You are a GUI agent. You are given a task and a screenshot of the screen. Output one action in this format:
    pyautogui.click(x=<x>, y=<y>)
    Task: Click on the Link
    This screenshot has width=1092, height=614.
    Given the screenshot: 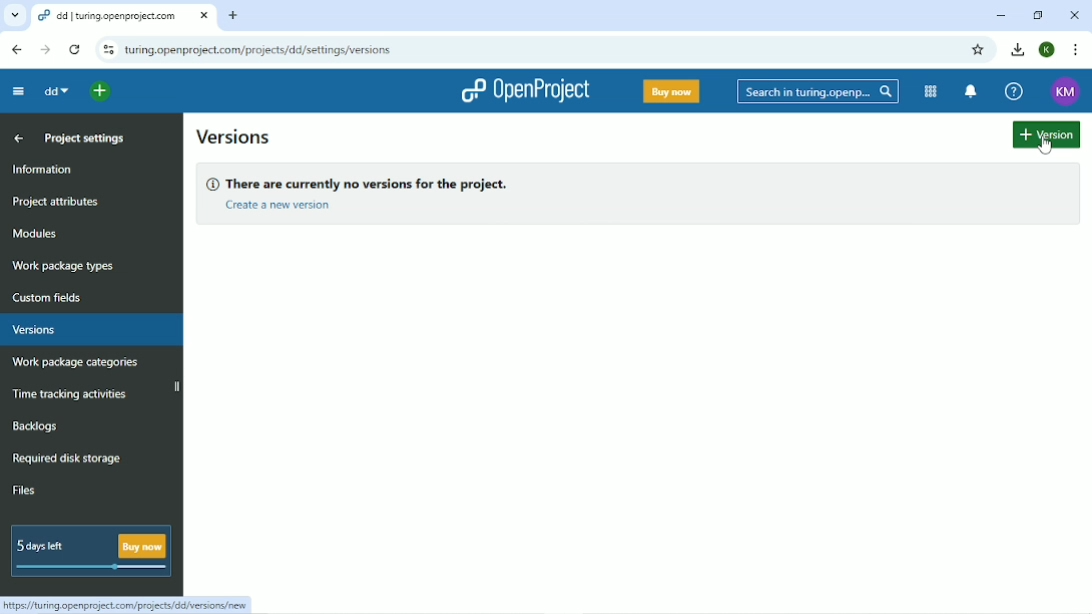 What is the action you would take?
    pyautogui.click(x=128, y=604)
    